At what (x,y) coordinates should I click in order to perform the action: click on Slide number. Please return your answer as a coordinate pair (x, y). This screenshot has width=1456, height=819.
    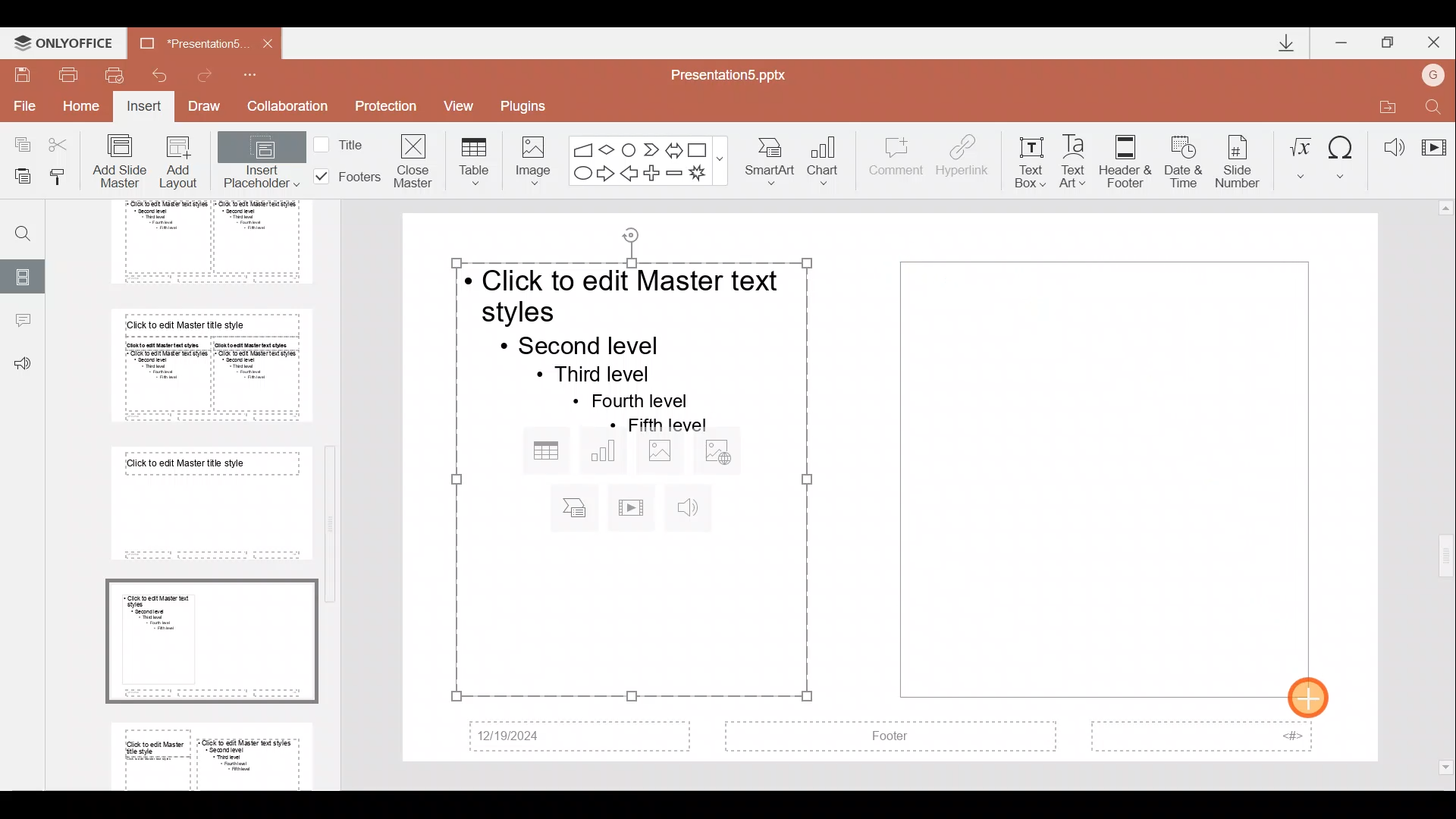
    Looking at the image, I should click on (1241, 158).